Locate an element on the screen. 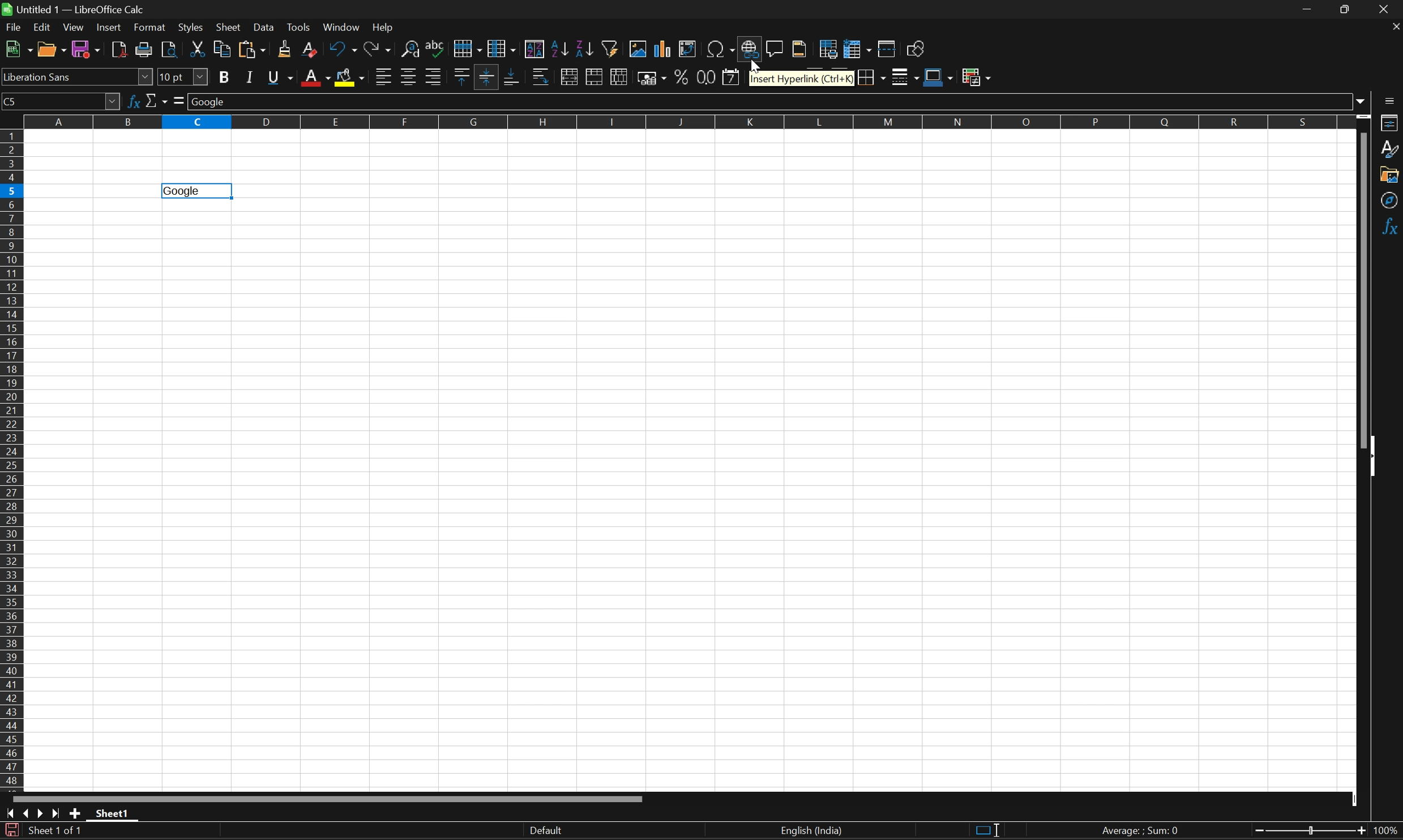 This screenshot has width=1403, height=840. View is located at coordinates (73, 28).